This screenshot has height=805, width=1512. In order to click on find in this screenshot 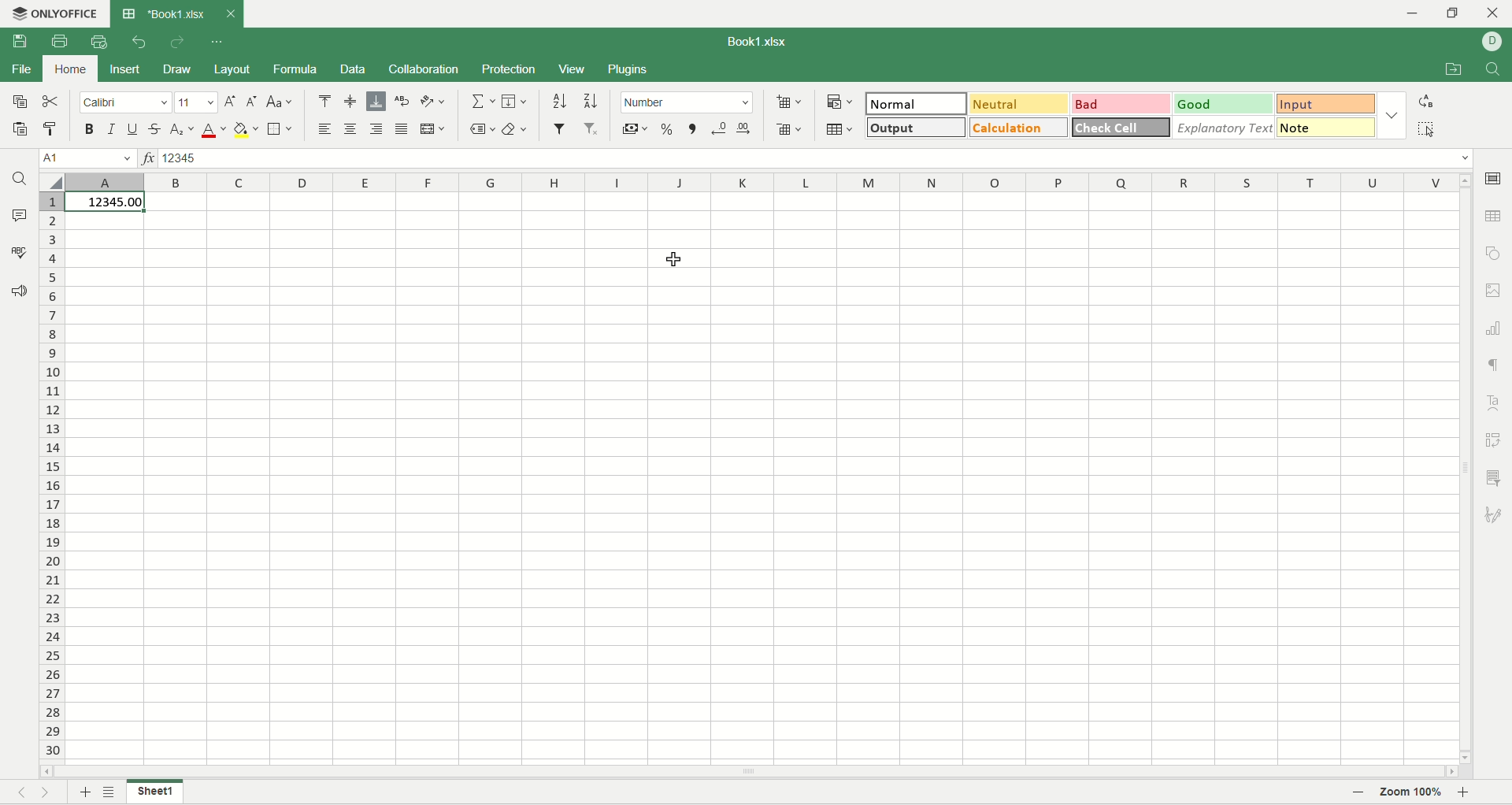, I will do `click(18, 180)`.